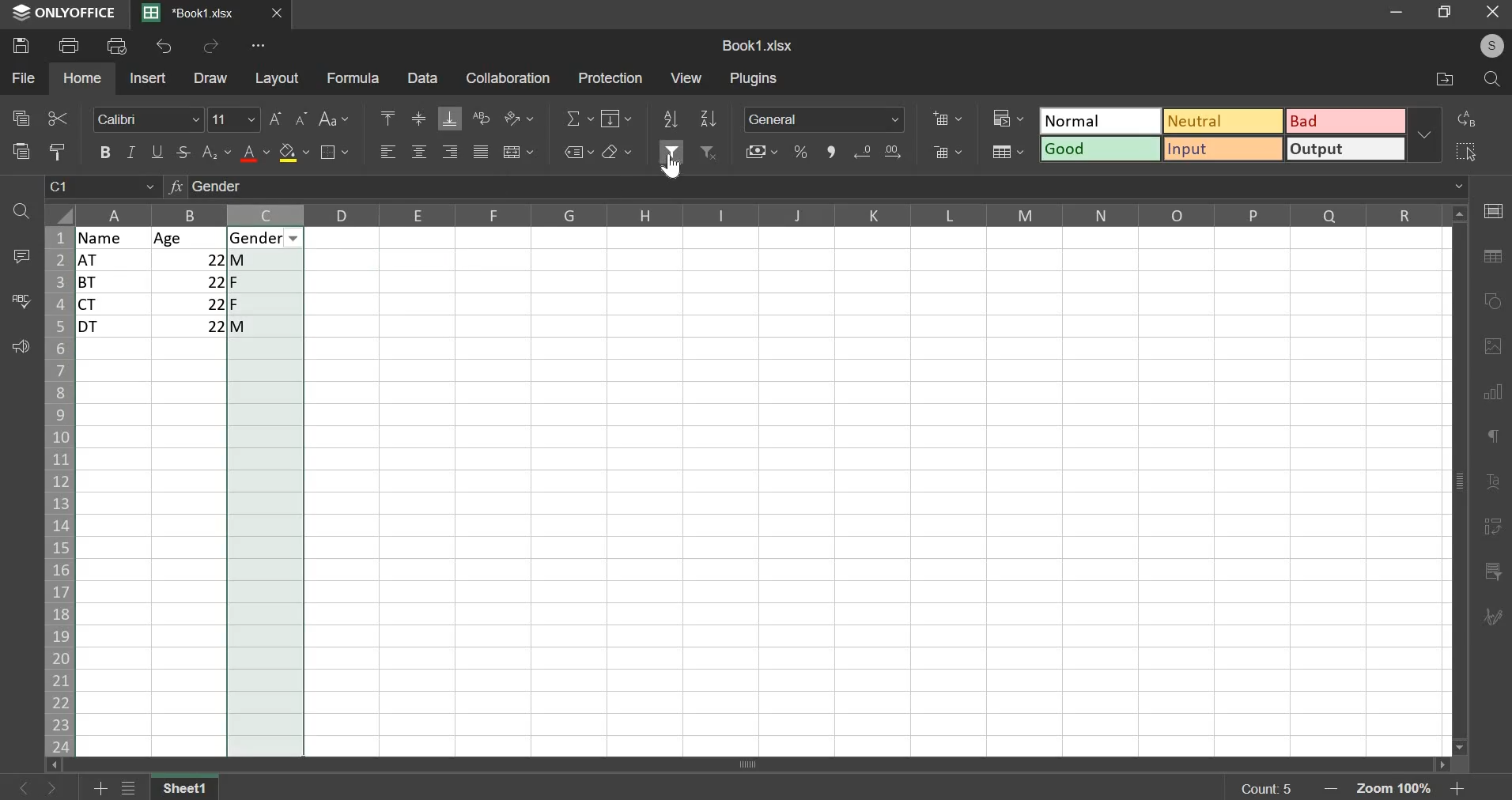 The width and height of the screenshot is (1512, 800). What do you see at coordinates (191, 259) in the screenshot?
I see `22` at bounding box center [191, 259].